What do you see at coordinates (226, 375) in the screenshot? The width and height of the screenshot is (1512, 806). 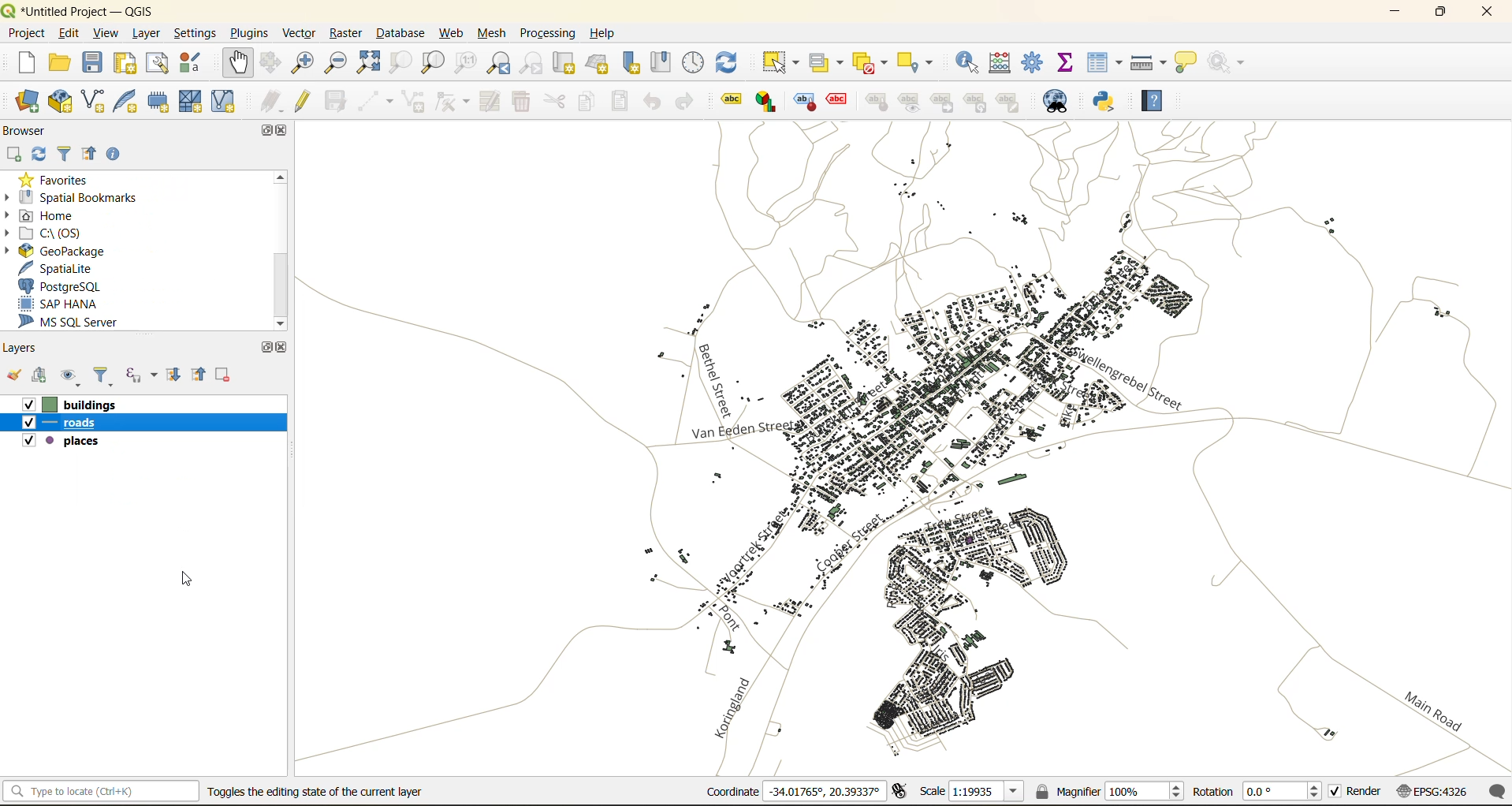 I see `remove` at bounding box center [226, 375].